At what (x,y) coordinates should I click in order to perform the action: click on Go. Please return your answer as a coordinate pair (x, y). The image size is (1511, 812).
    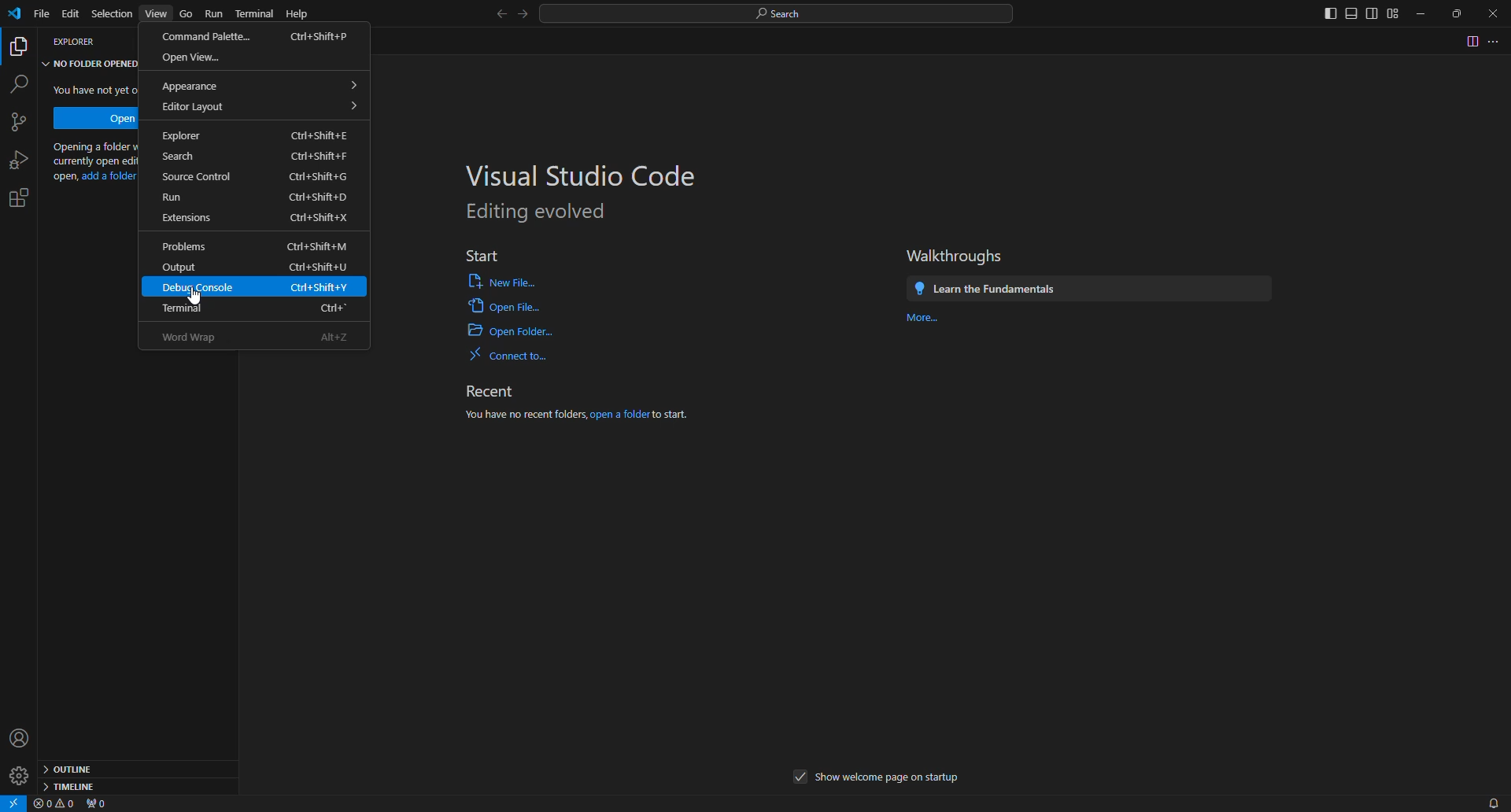
    Looking at the image, I should click on (186, 15).